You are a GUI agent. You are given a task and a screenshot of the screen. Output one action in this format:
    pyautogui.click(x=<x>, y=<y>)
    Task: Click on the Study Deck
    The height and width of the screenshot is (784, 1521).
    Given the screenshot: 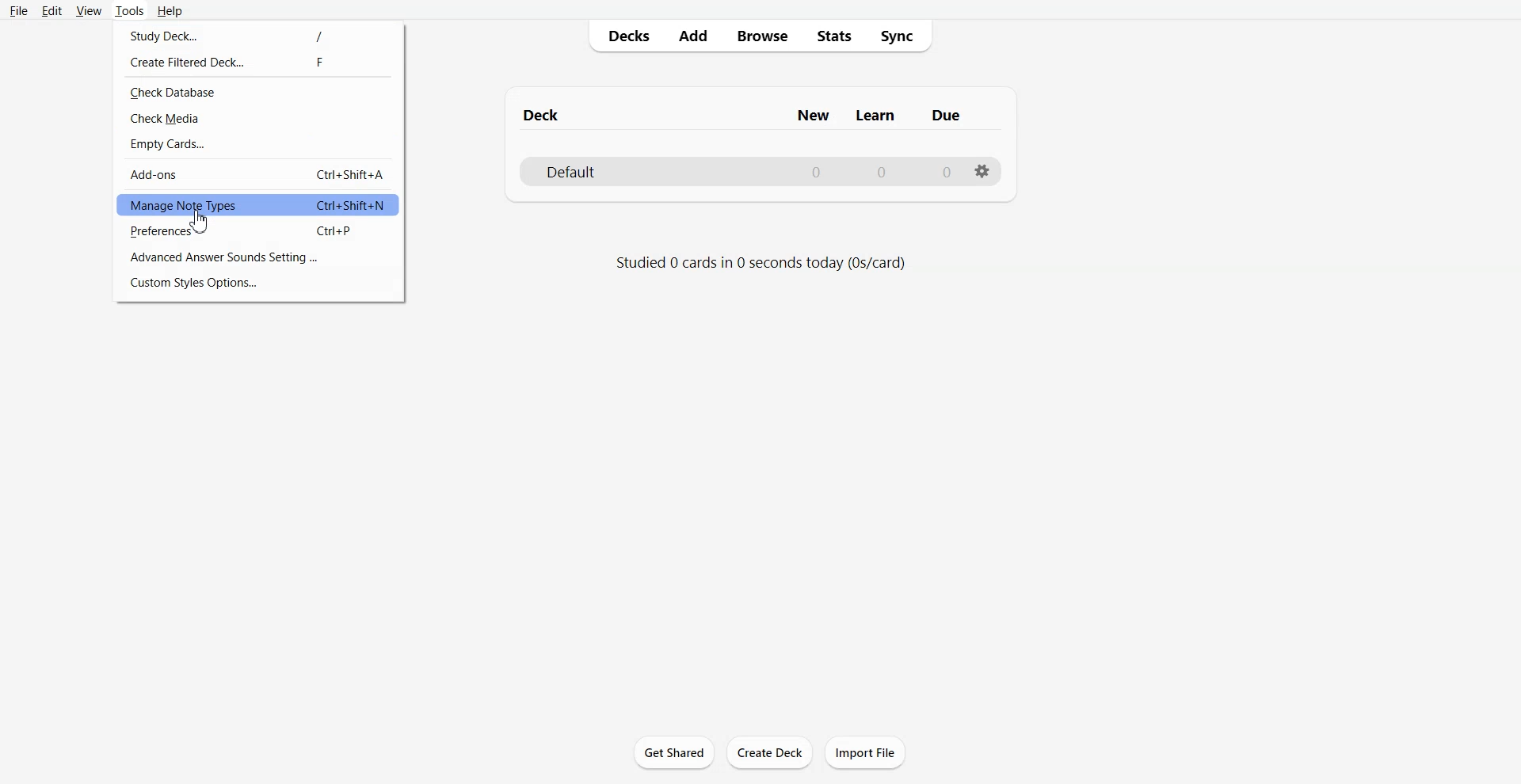 What is the action you would take?
    pyautogui.click(x=259, y=33)
    